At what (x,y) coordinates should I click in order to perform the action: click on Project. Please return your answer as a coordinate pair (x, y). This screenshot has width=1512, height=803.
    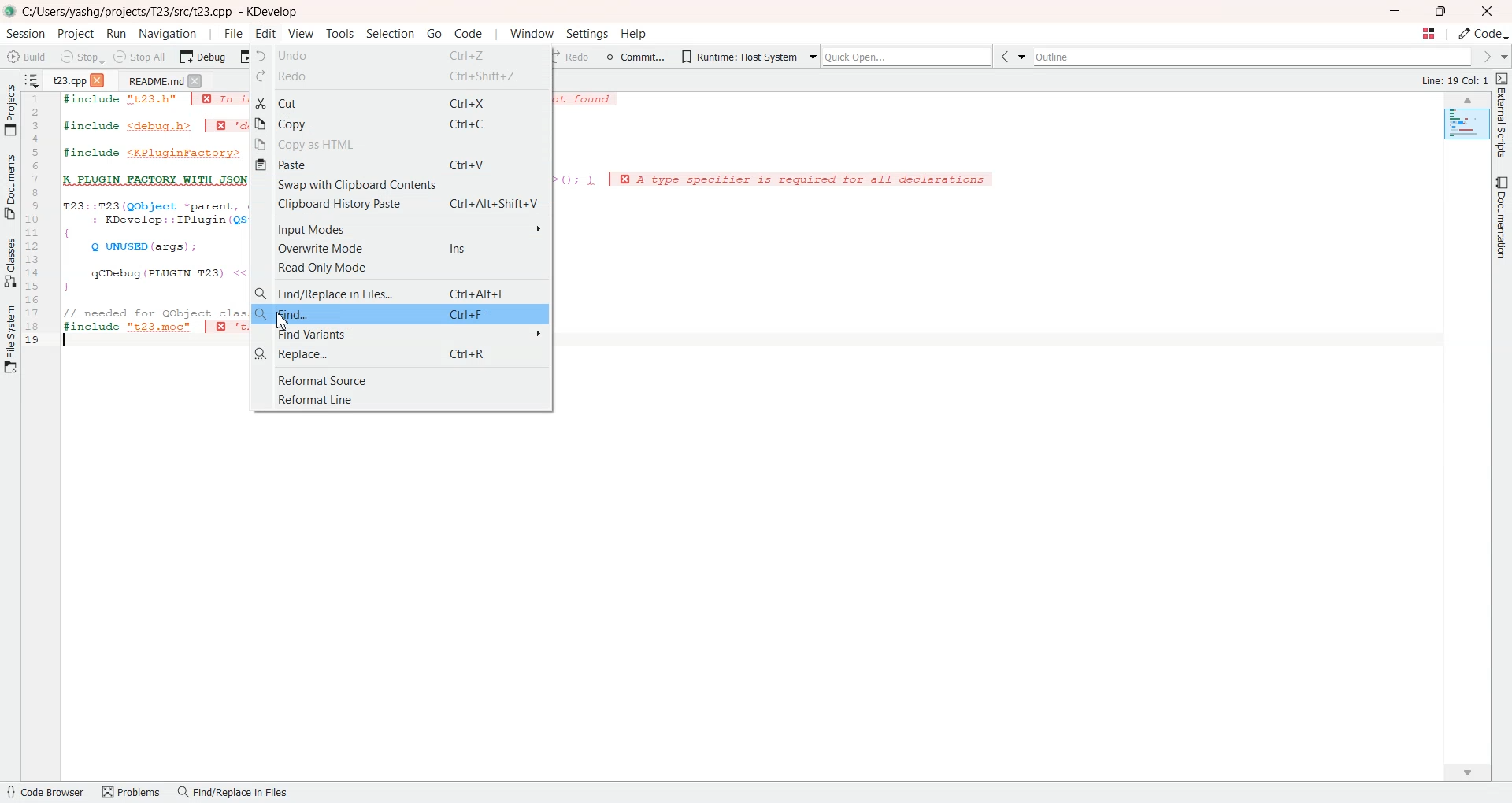
    Looking at the image, I should click on (77, 34).